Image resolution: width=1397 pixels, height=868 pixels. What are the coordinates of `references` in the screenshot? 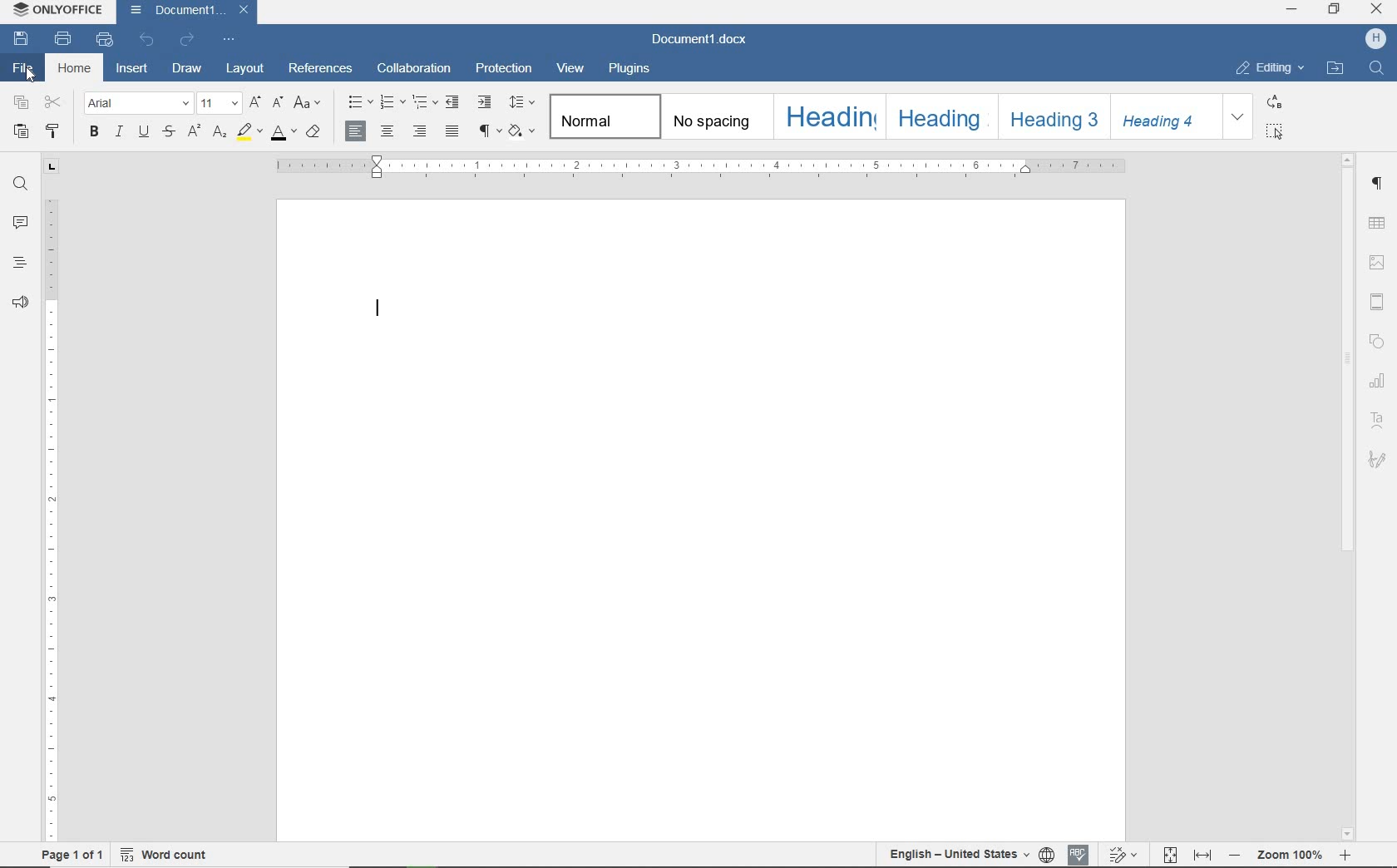 It's located at (323, 68).